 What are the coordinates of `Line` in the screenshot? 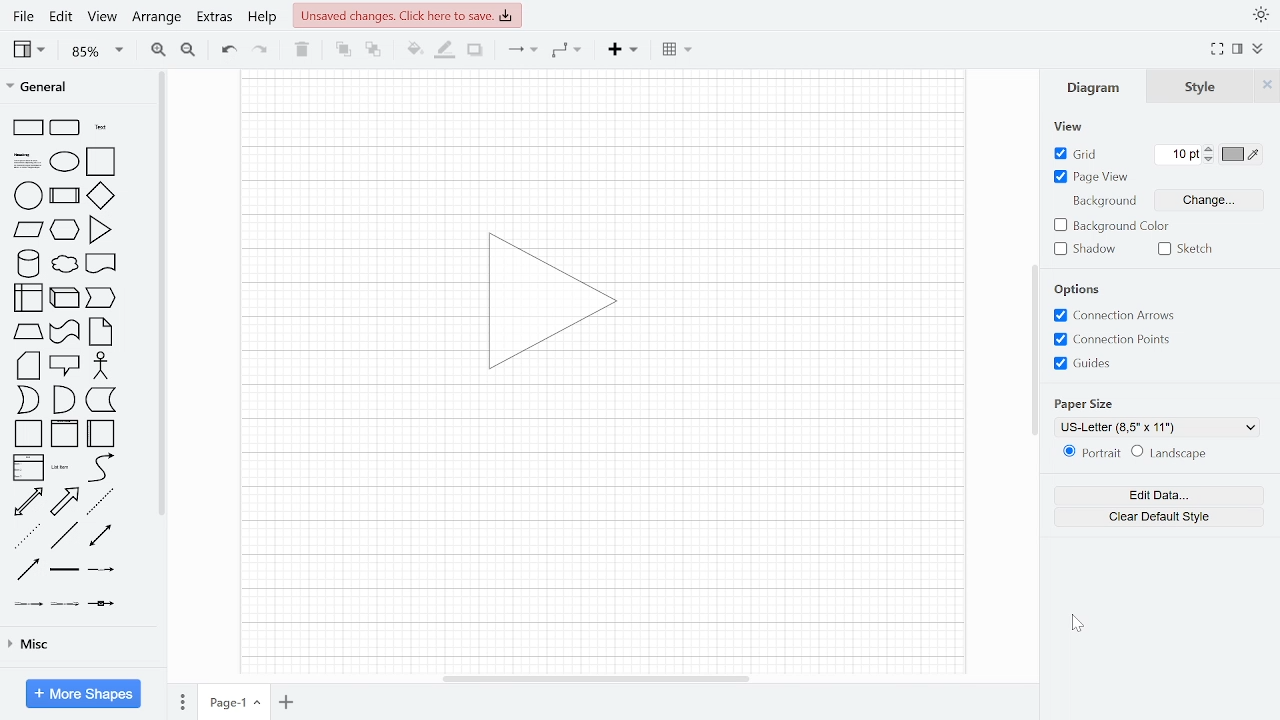 It's located at (64, 535).